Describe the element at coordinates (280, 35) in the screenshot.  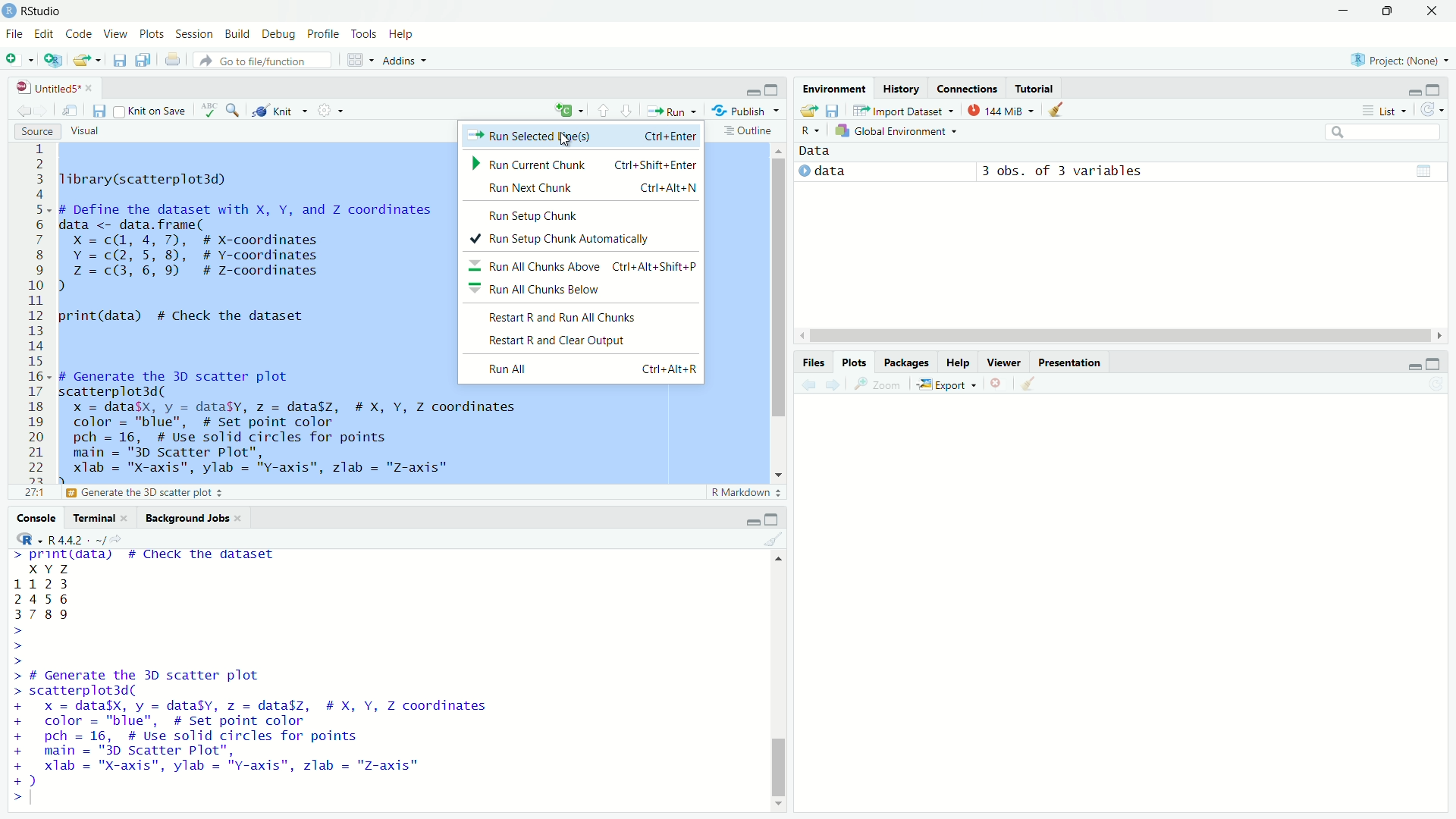
I see `debug` at that location.